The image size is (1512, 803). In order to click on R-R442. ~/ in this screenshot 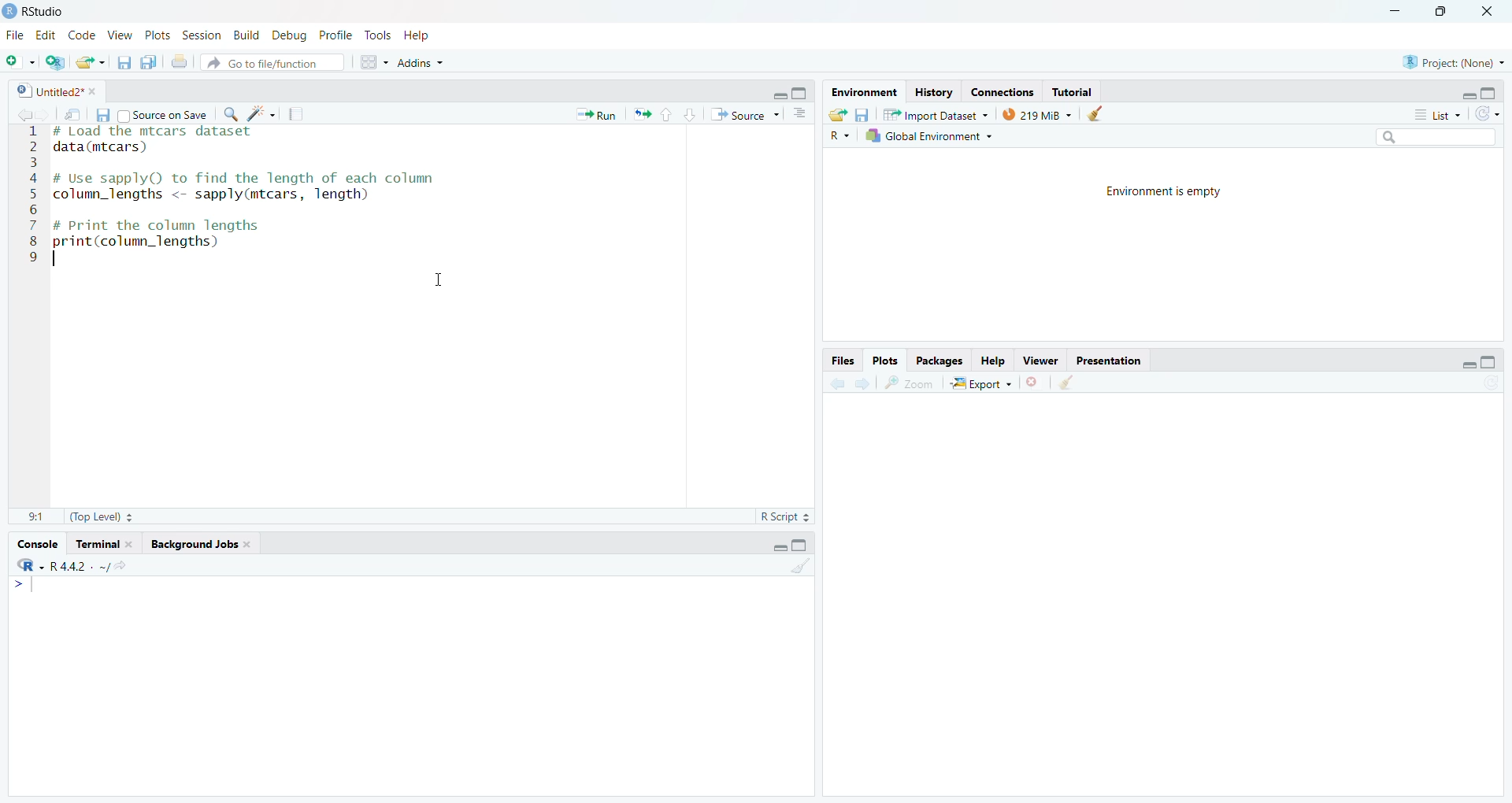, I will do `click(71, 566)`.